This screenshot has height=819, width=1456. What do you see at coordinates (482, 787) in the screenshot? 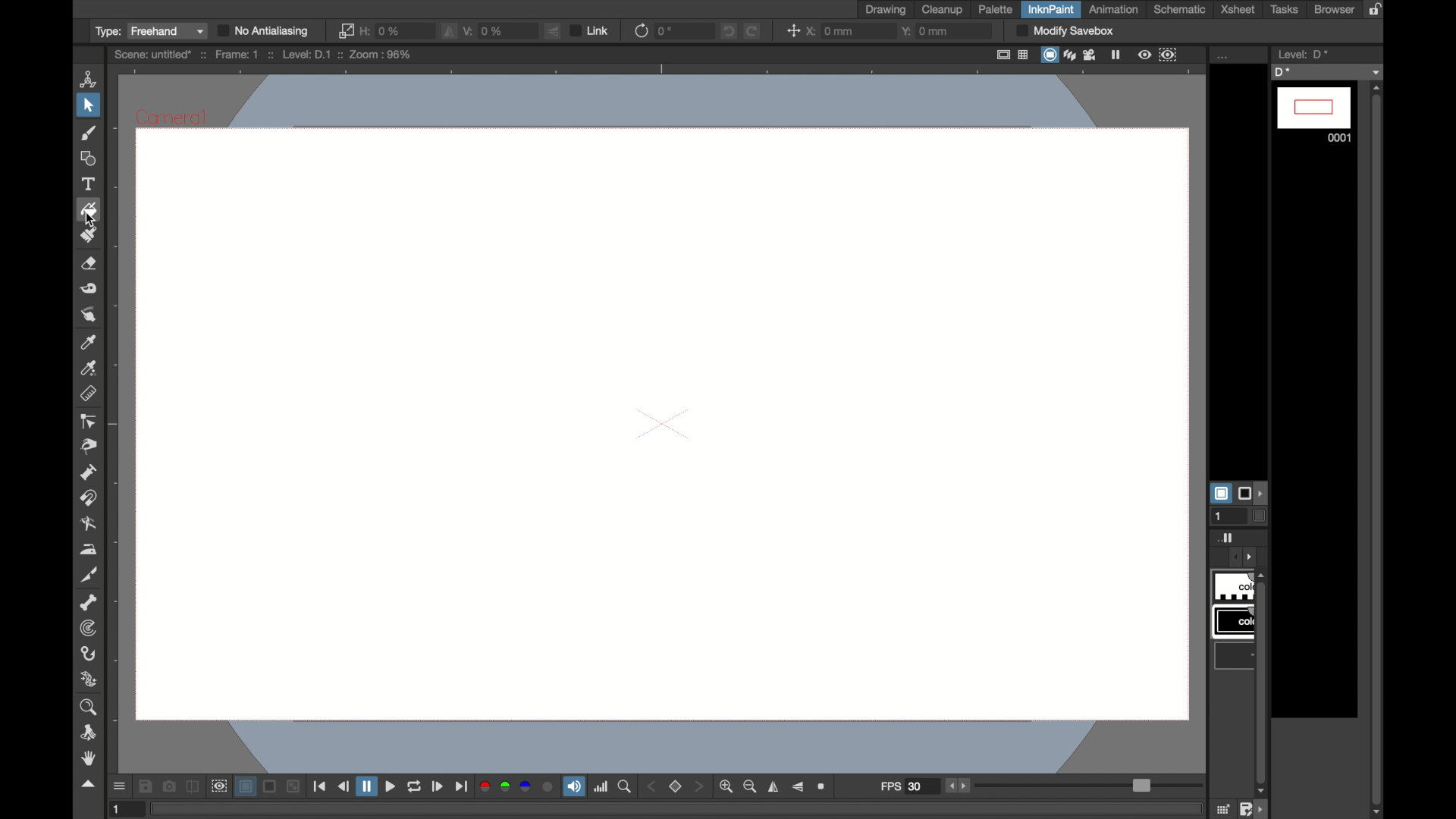
I see `red` at bounding box center [482, 787].